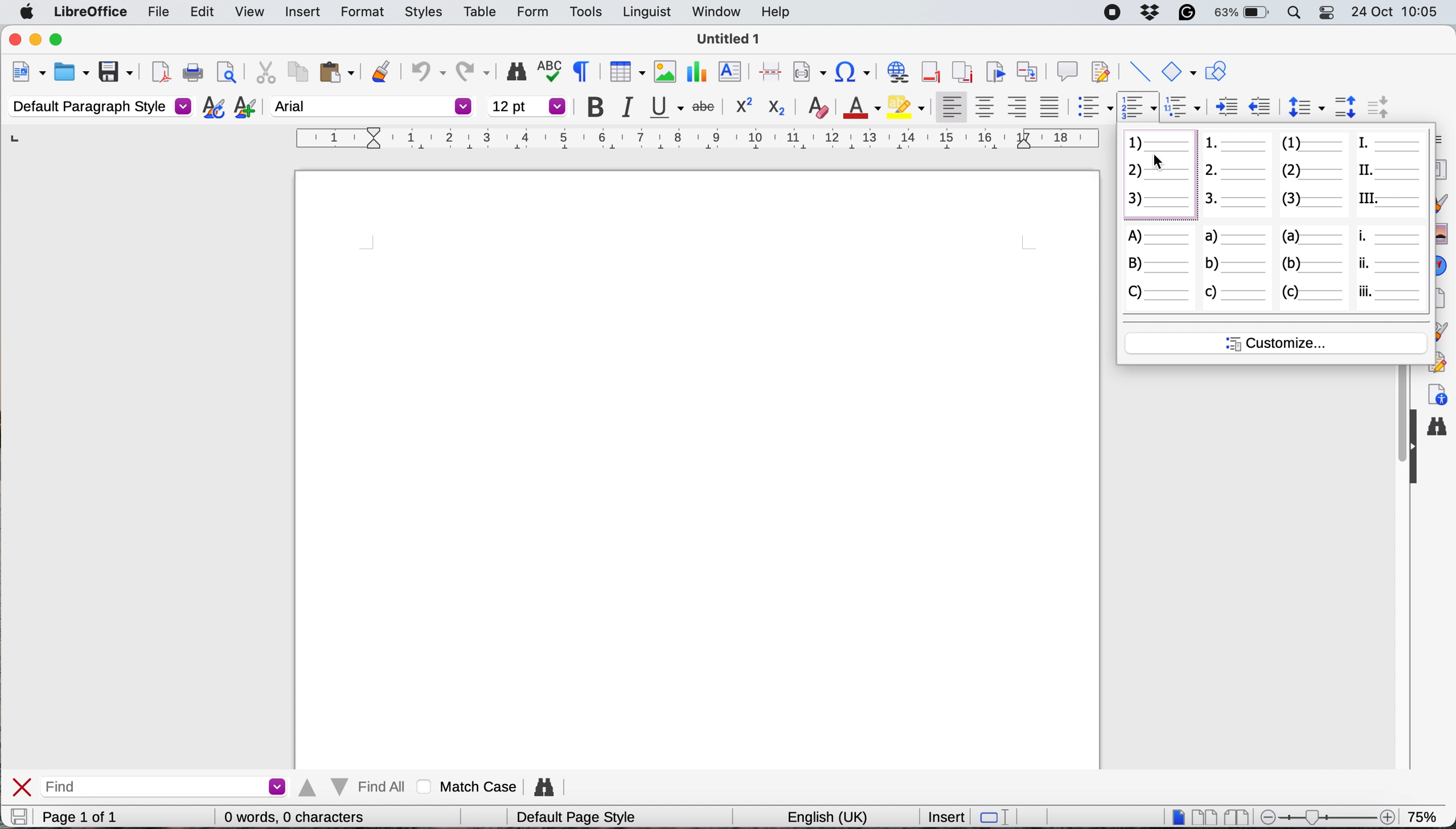 Image resolution: width=1456 pixels, height=829 pixels. What do you see at coordinates (1067, 69) in the screenshot?
I see `insert comment` at bounding box center [1067, 69].